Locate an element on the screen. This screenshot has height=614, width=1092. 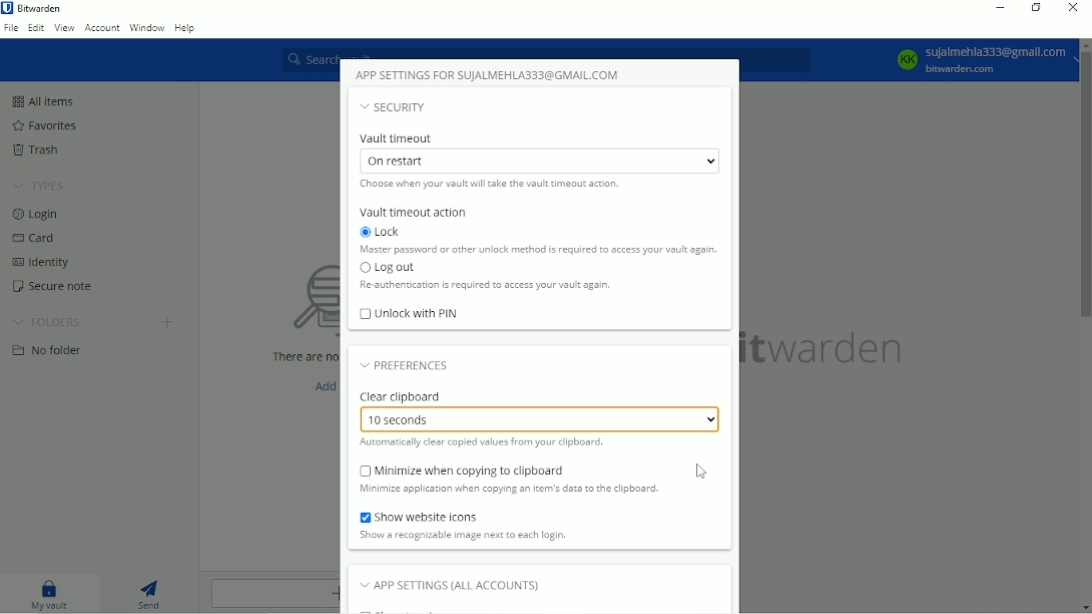
Account is located at coordinates (103, 28).